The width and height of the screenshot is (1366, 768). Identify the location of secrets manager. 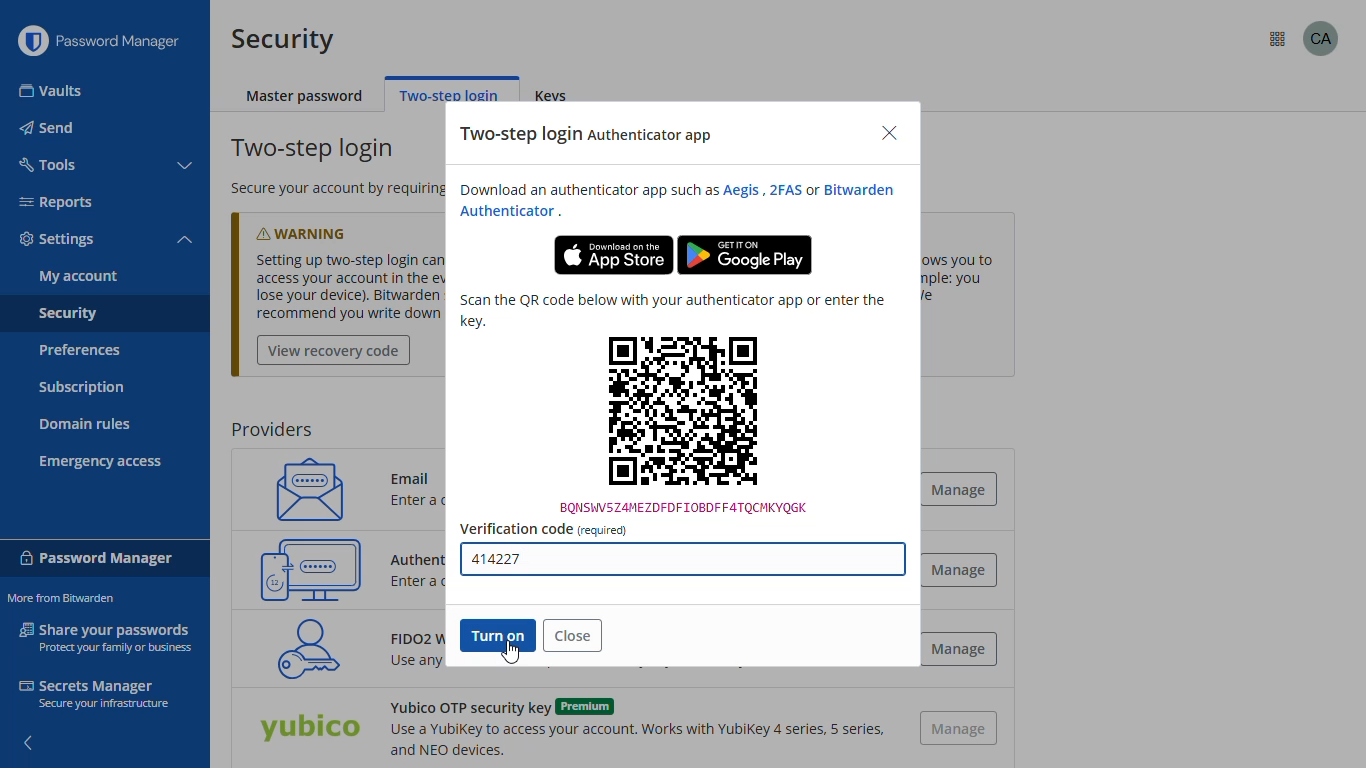
(93, 693).